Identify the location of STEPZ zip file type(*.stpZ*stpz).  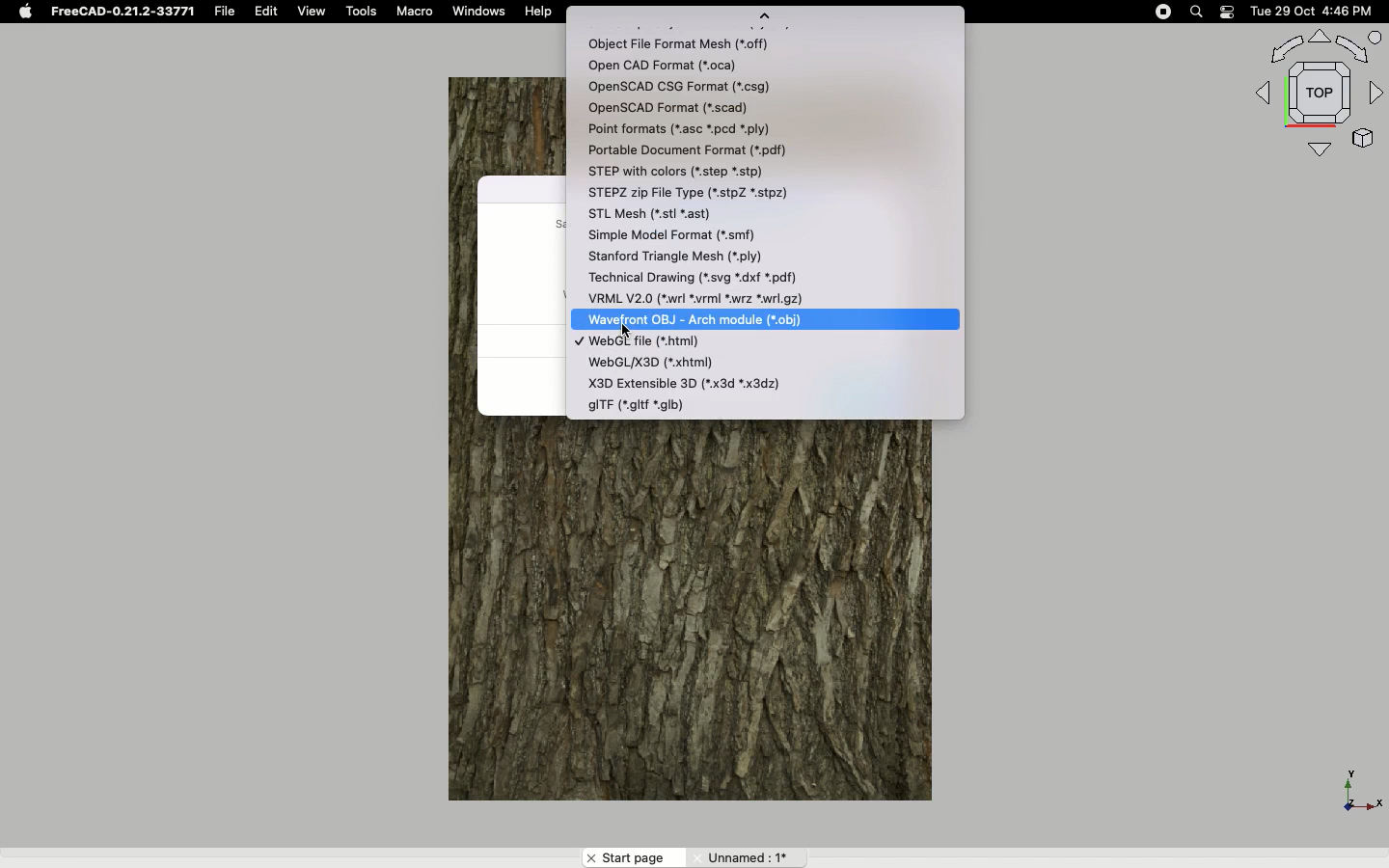
(722, 192).